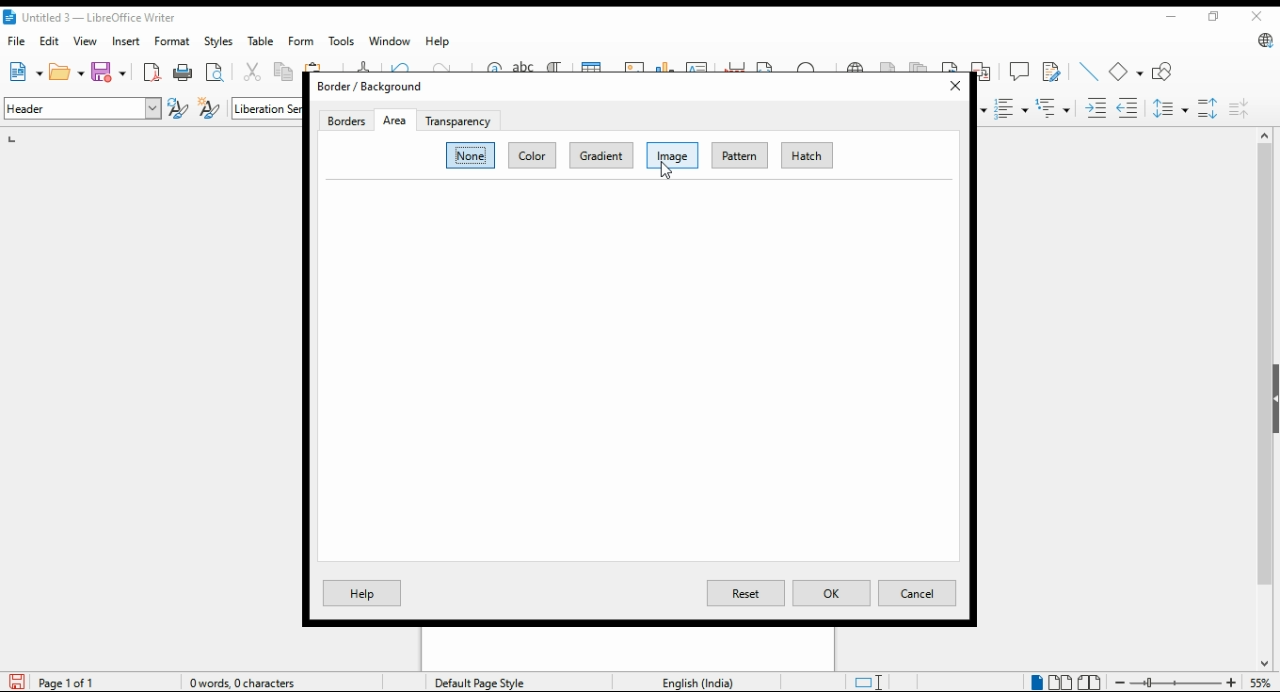 Image resolution: width=1280 pixels, height=692 pixels. Describe the element at coordinates (1261, 682) in the screenshot. I see `zoom factor` at that location.